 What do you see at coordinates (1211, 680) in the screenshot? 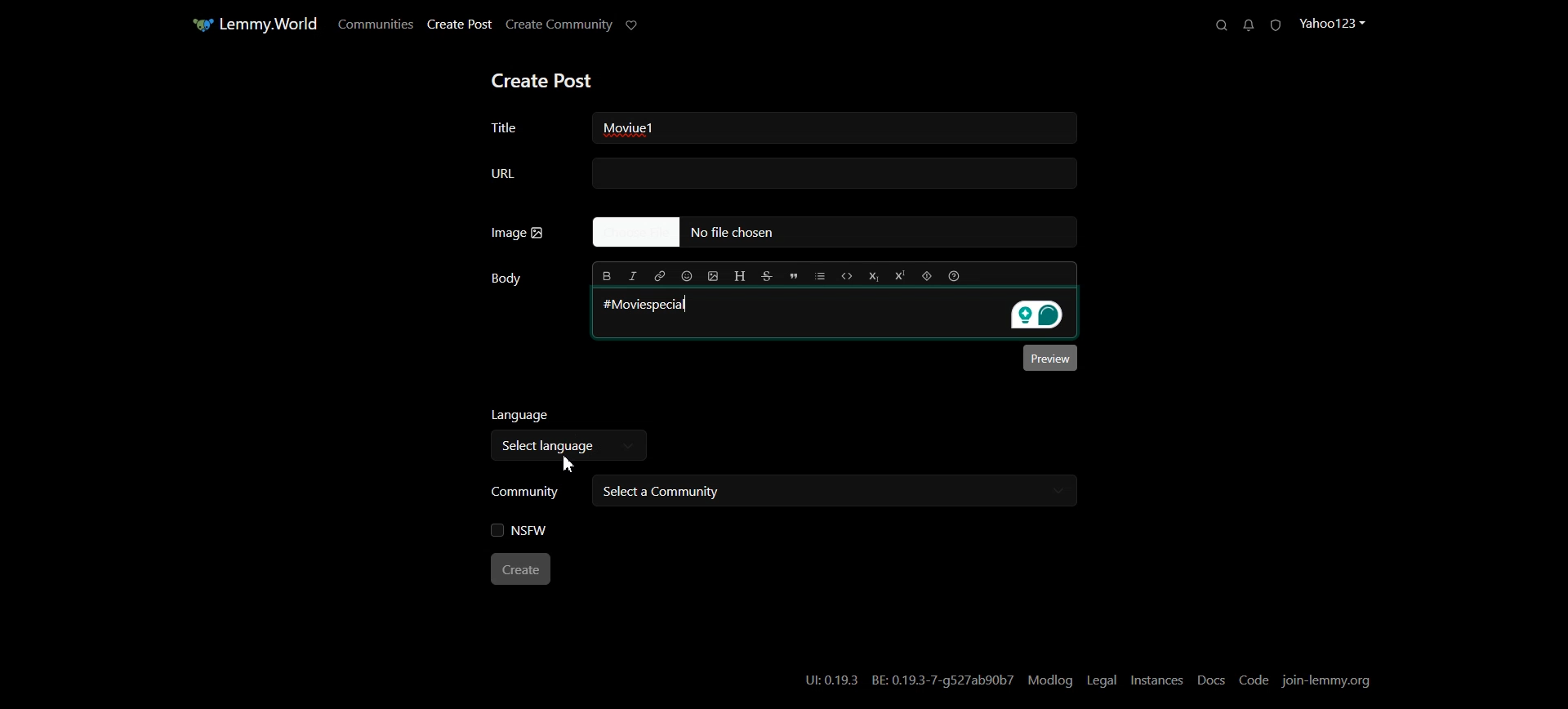
I see `Docs` at bounding box center [1211, 680].